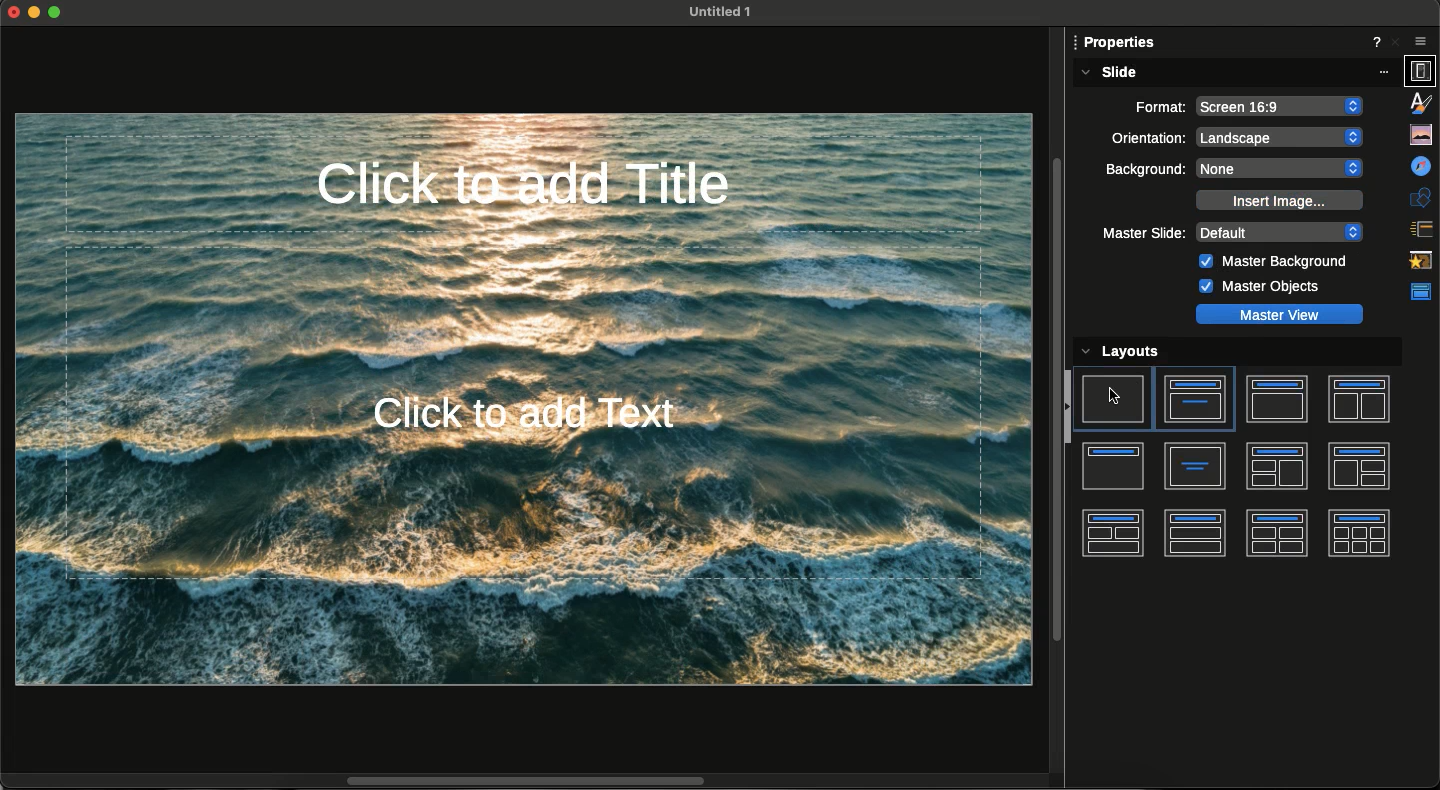  What do you see at coordinates (714, 11) in the screenshot?
I see `File name` at bounding box center [714, 11].